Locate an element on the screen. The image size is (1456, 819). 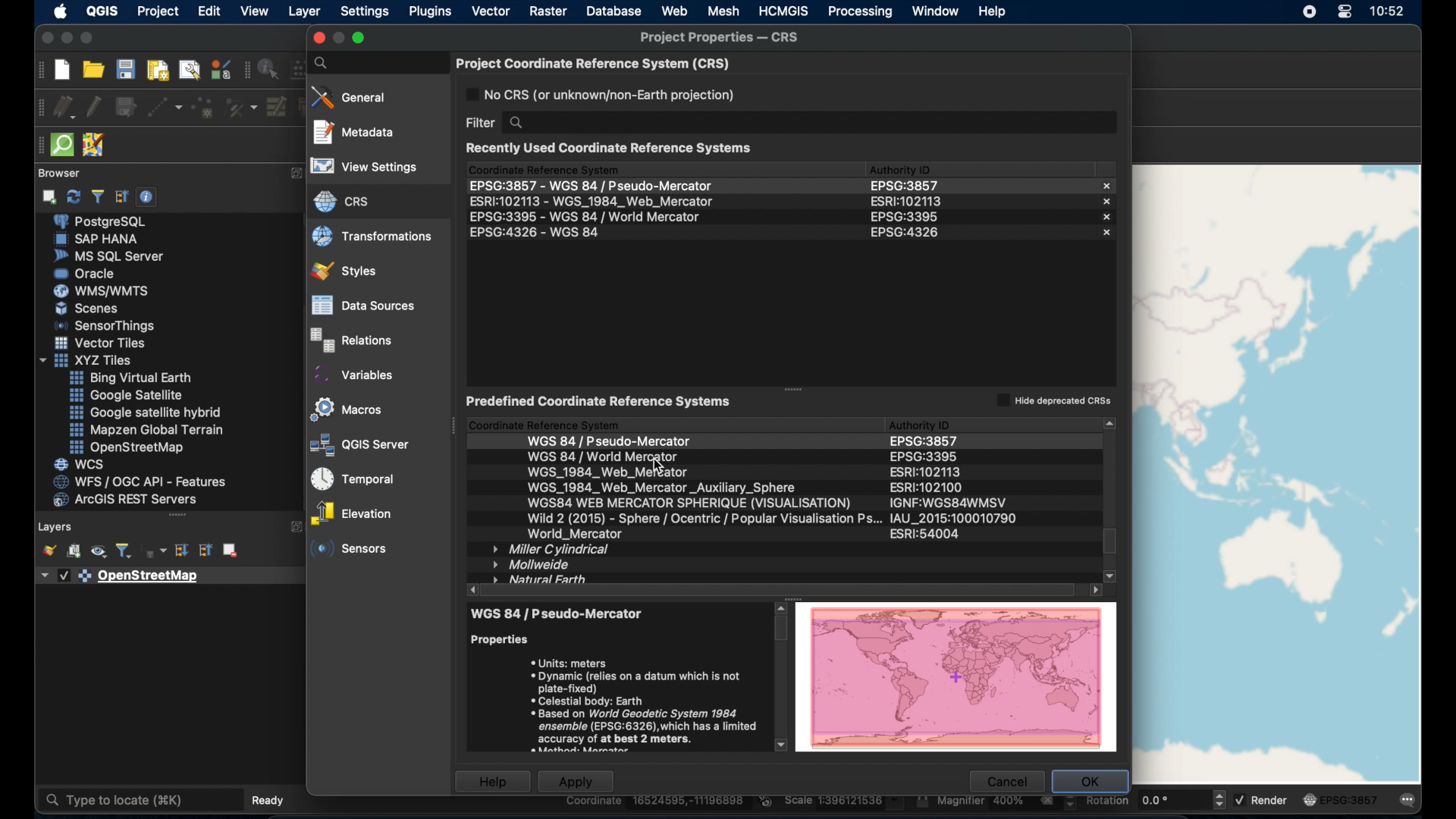
database is located at coordinates (613, 11).